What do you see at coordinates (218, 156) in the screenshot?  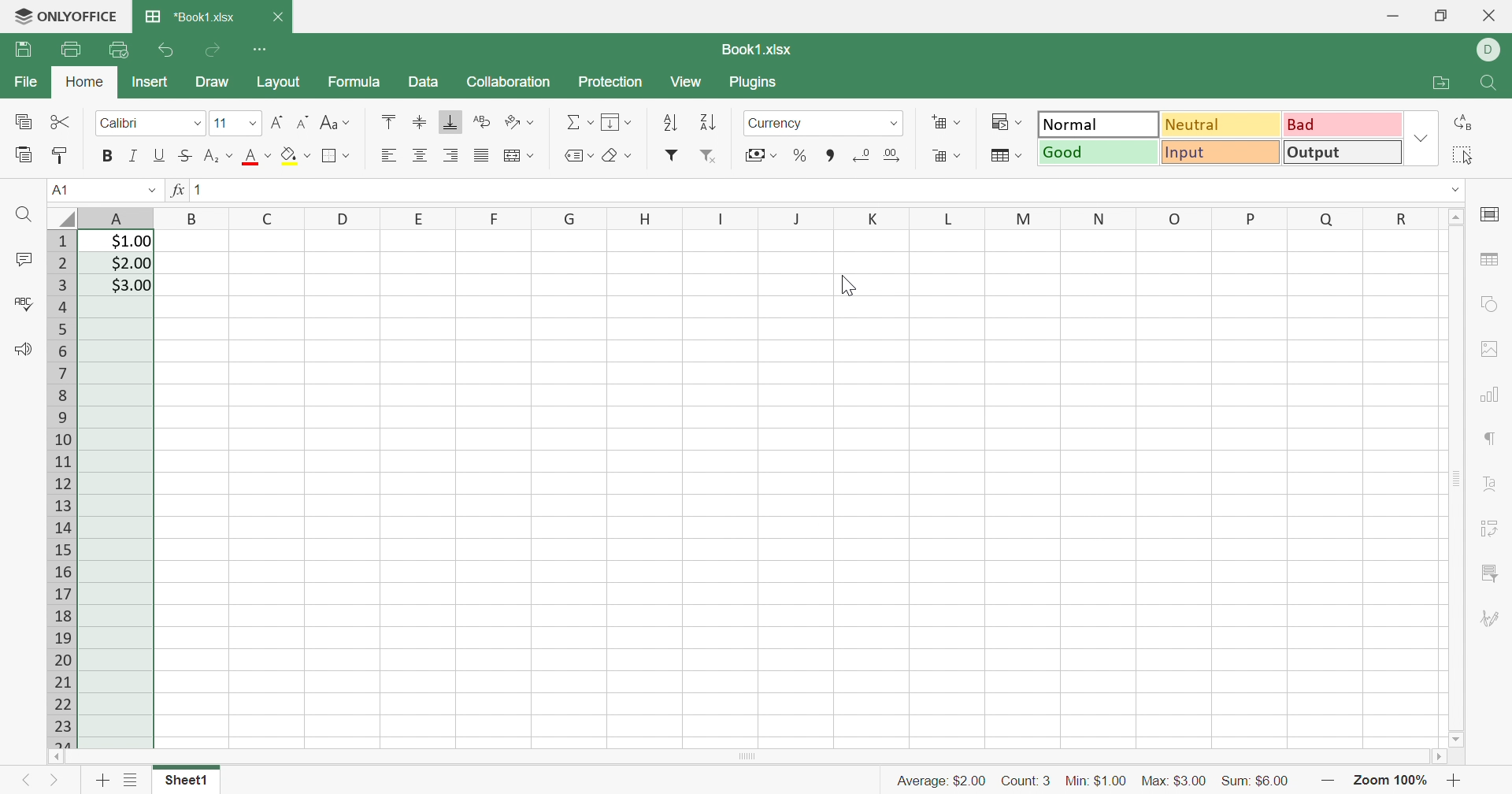 I see `Subscript` at bounding box center [218, 156].